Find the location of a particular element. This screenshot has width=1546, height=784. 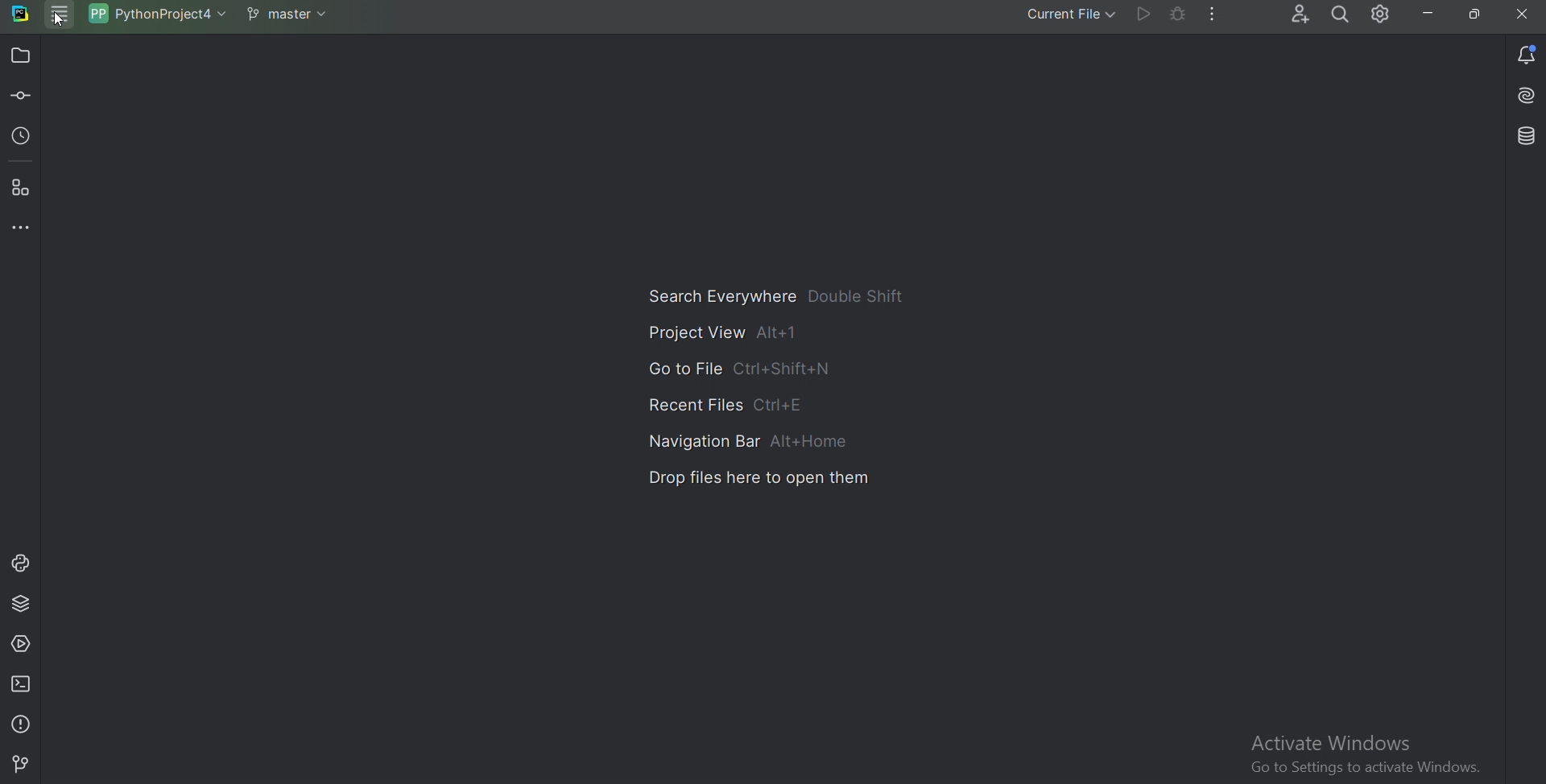

Project view is located at coordinates (723, 332).